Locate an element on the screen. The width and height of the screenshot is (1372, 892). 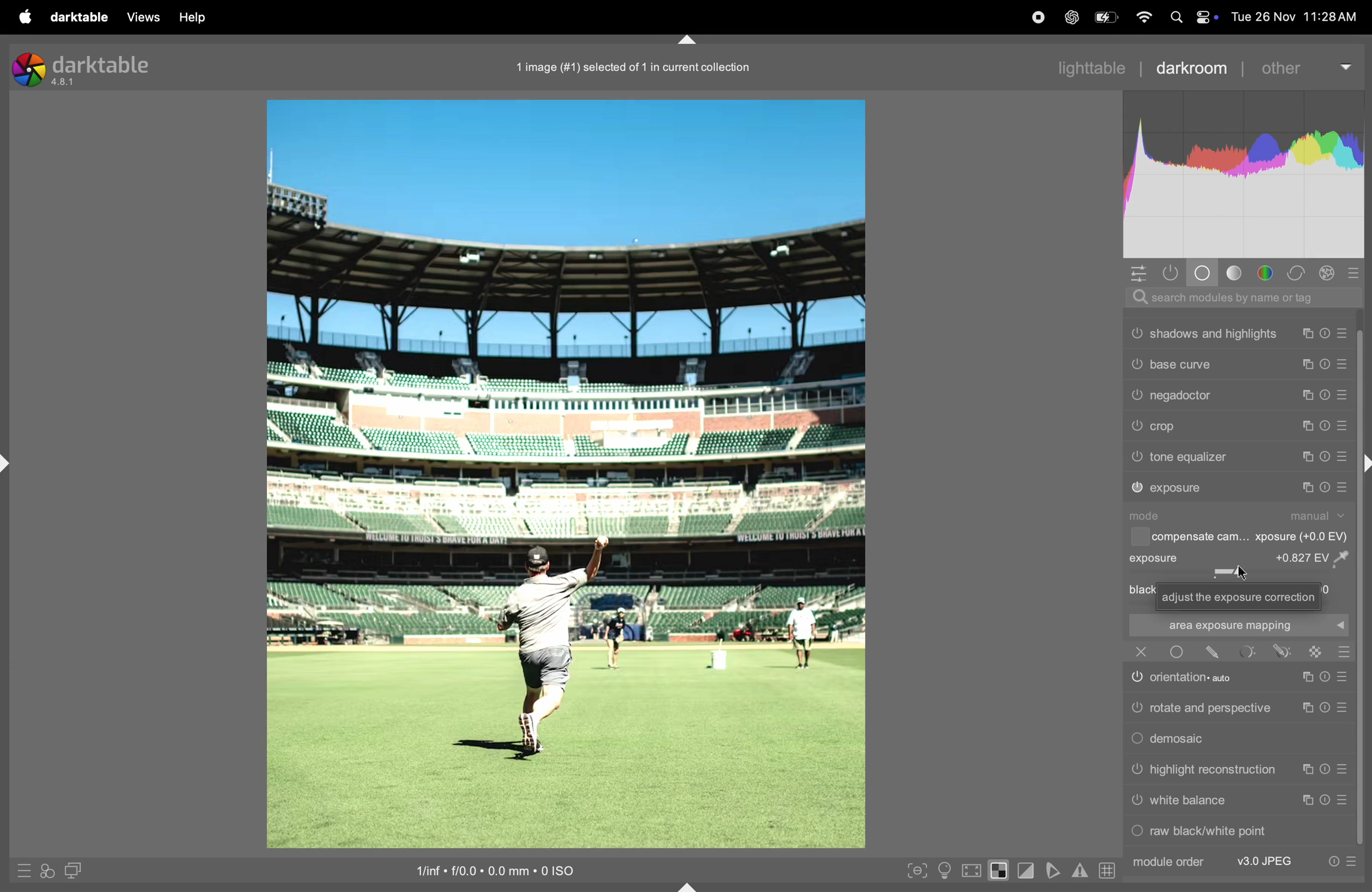
orientation is located at coordinates (1201, 676).